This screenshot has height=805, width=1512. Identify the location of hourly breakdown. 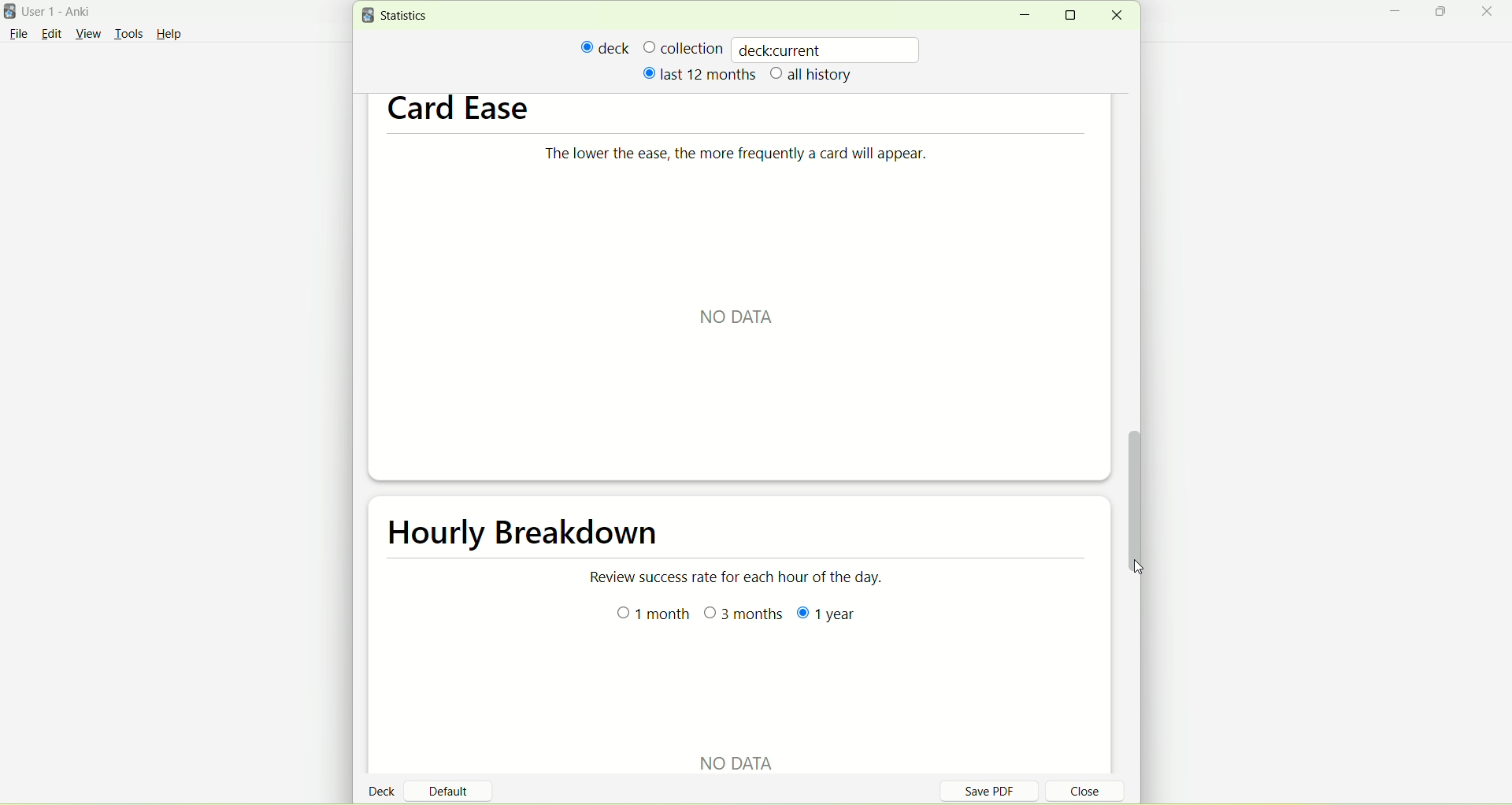
(514, 538).